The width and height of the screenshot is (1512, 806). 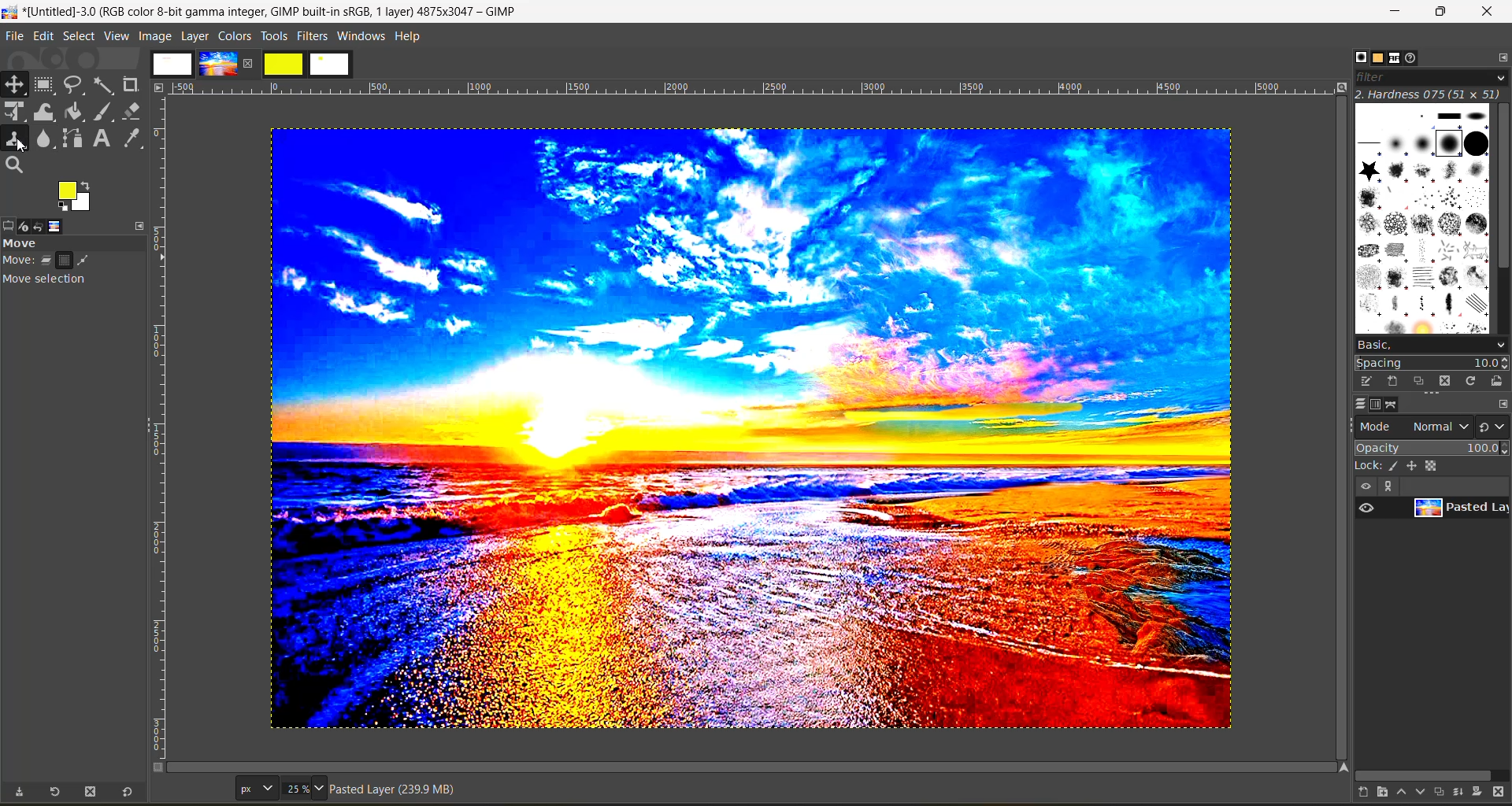 What do you see at coordinates (72, 138) in the screenshot?
I see `path tool` at bounding box center [72, 138].